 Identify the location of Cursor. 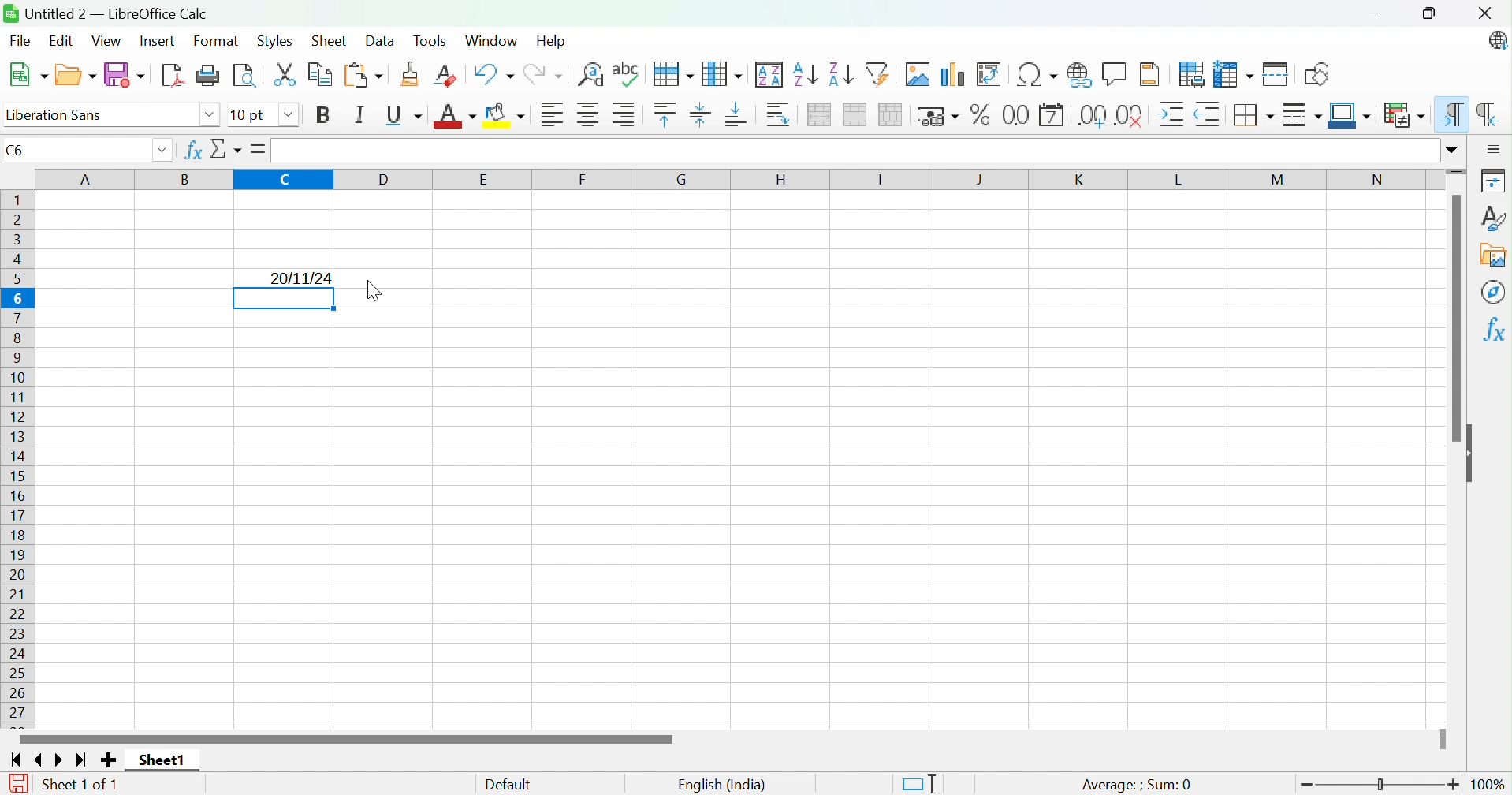
(375, 292).